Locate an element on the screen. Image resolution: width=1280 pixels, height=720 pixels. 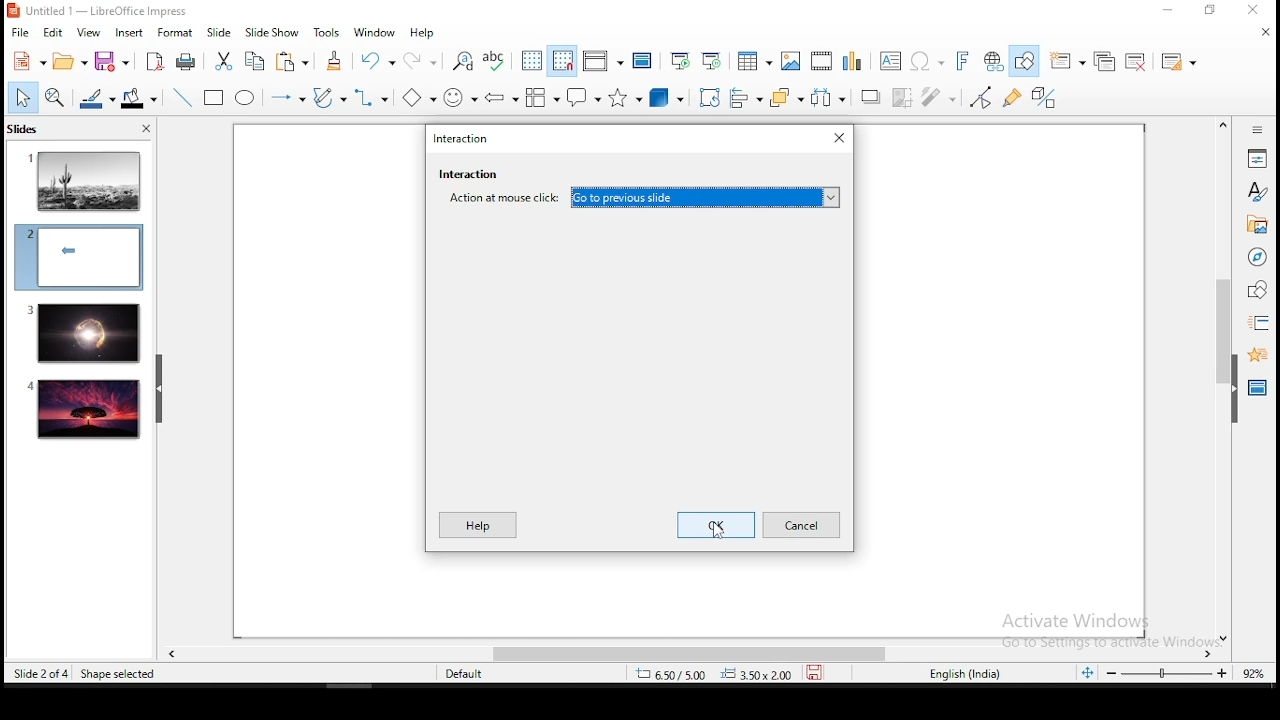
save is located at coordinates (819, 672).